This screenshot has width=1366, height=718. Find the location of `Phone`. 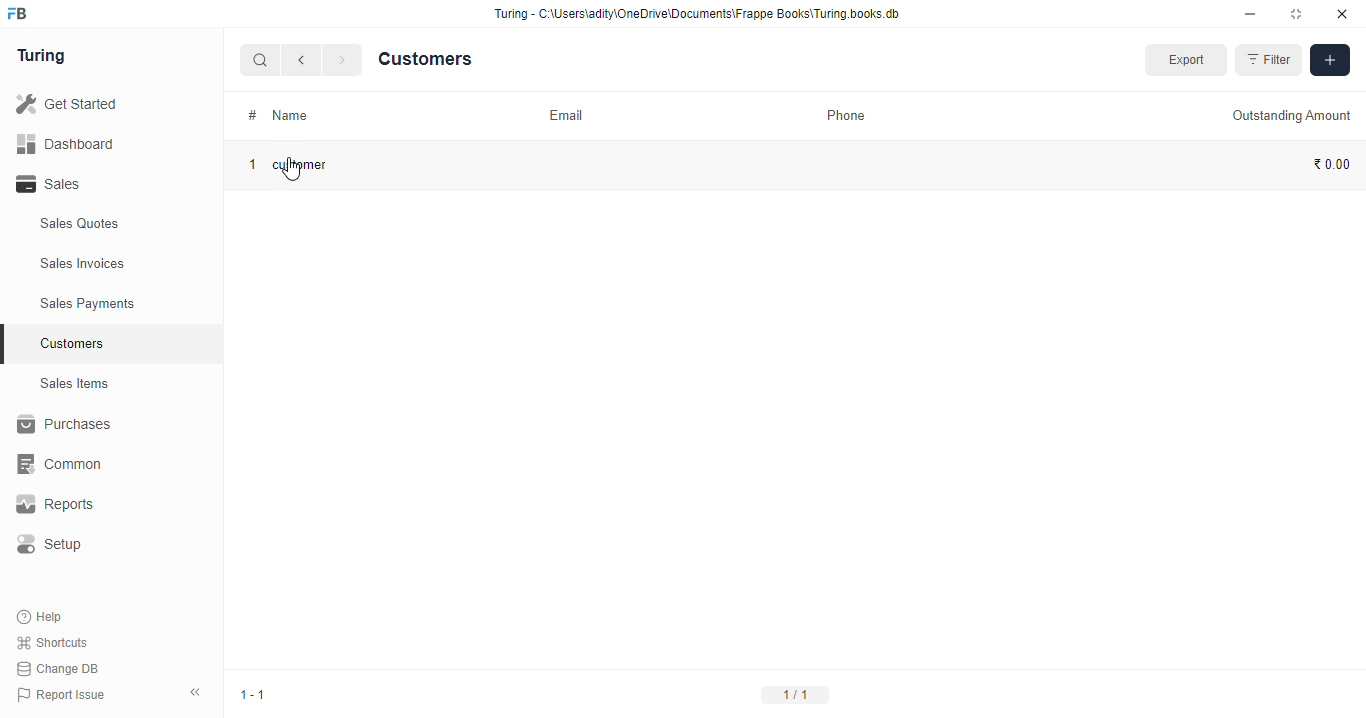

Phone is located at coordinates (849, 111).